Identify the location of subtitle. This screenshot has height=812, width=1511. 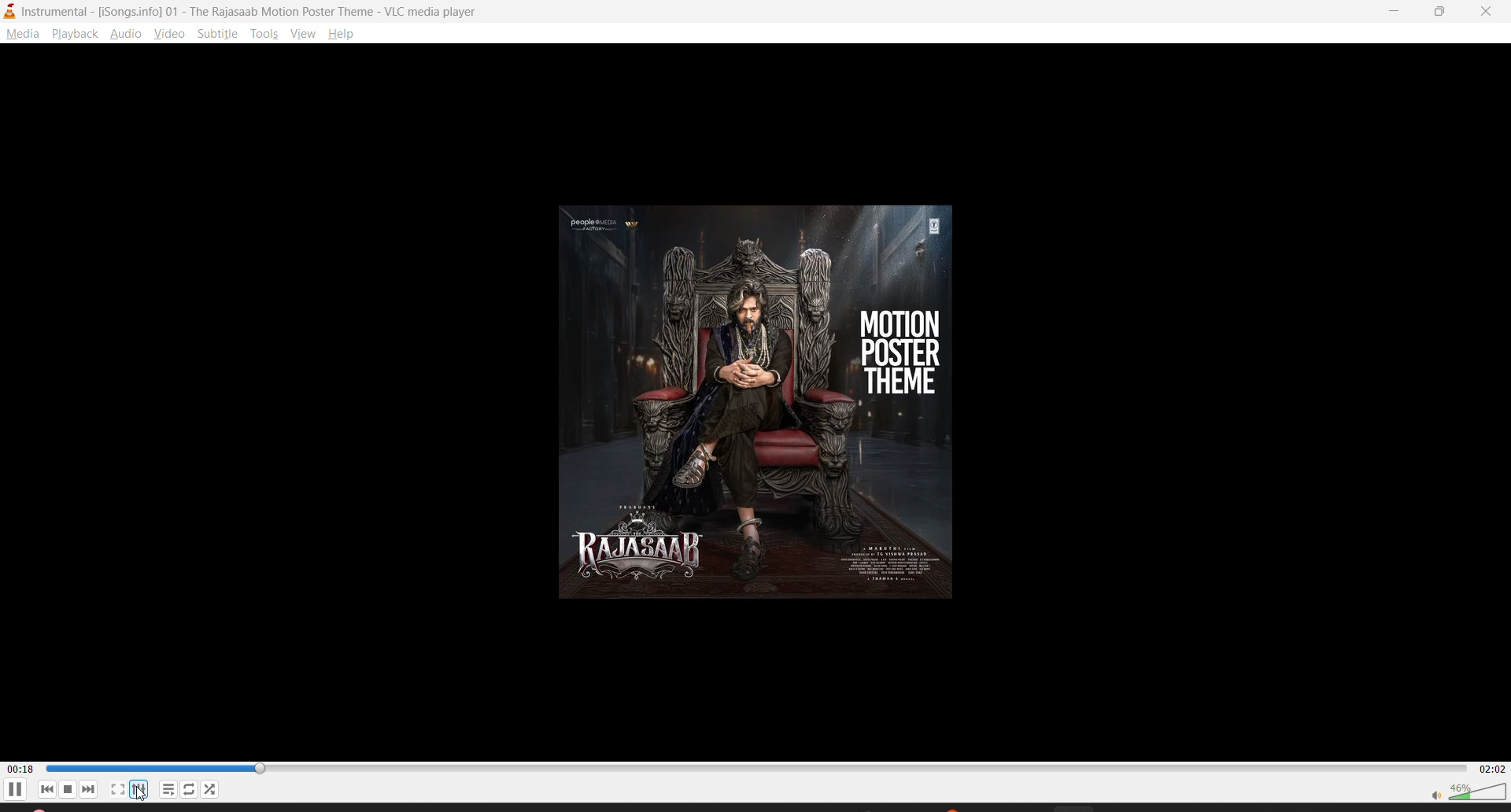
(220, 37).